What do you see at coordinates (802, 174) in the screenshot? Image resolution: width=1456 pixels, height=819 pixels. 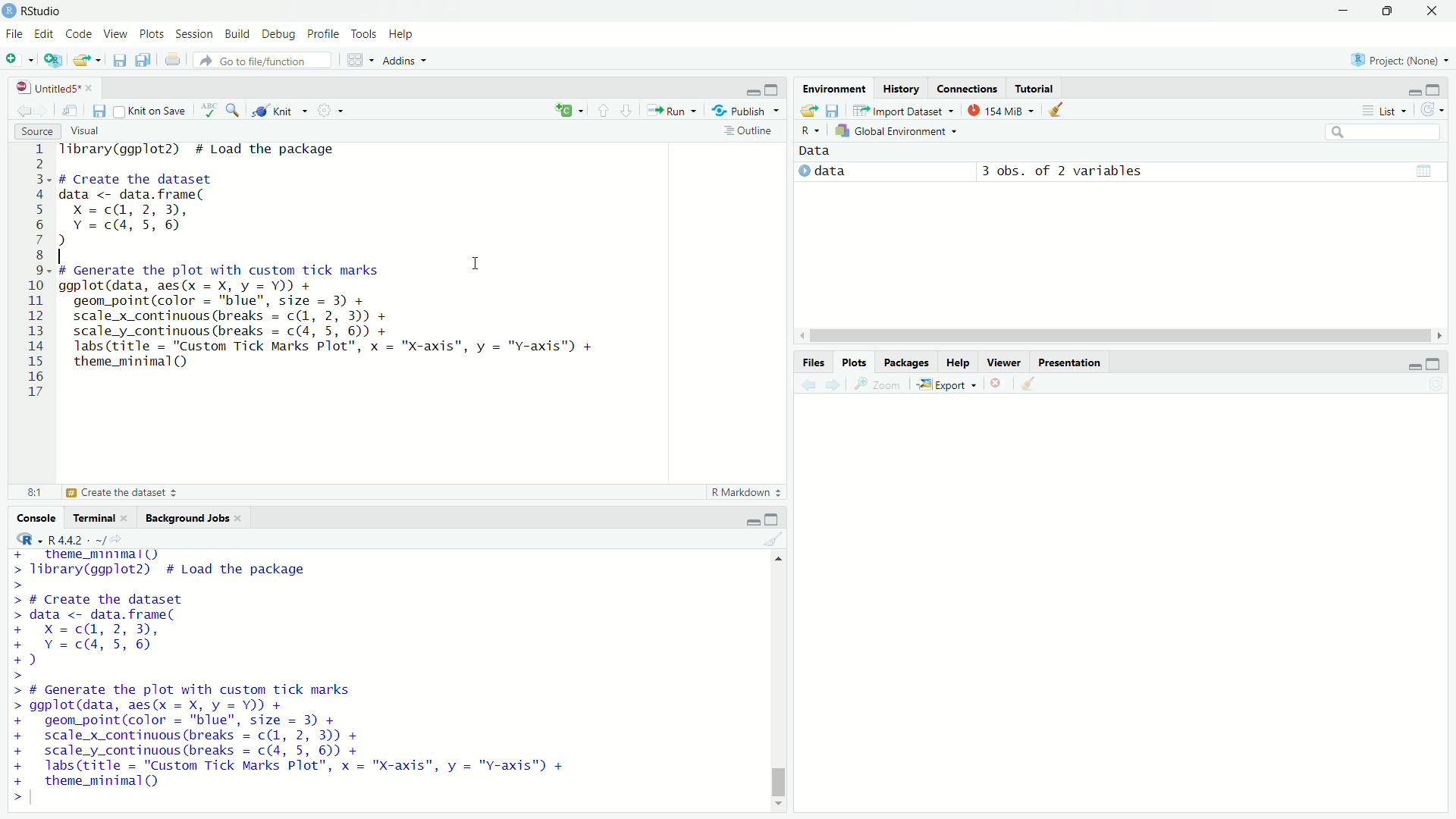 I see `play` at bounding box center [802, 174].